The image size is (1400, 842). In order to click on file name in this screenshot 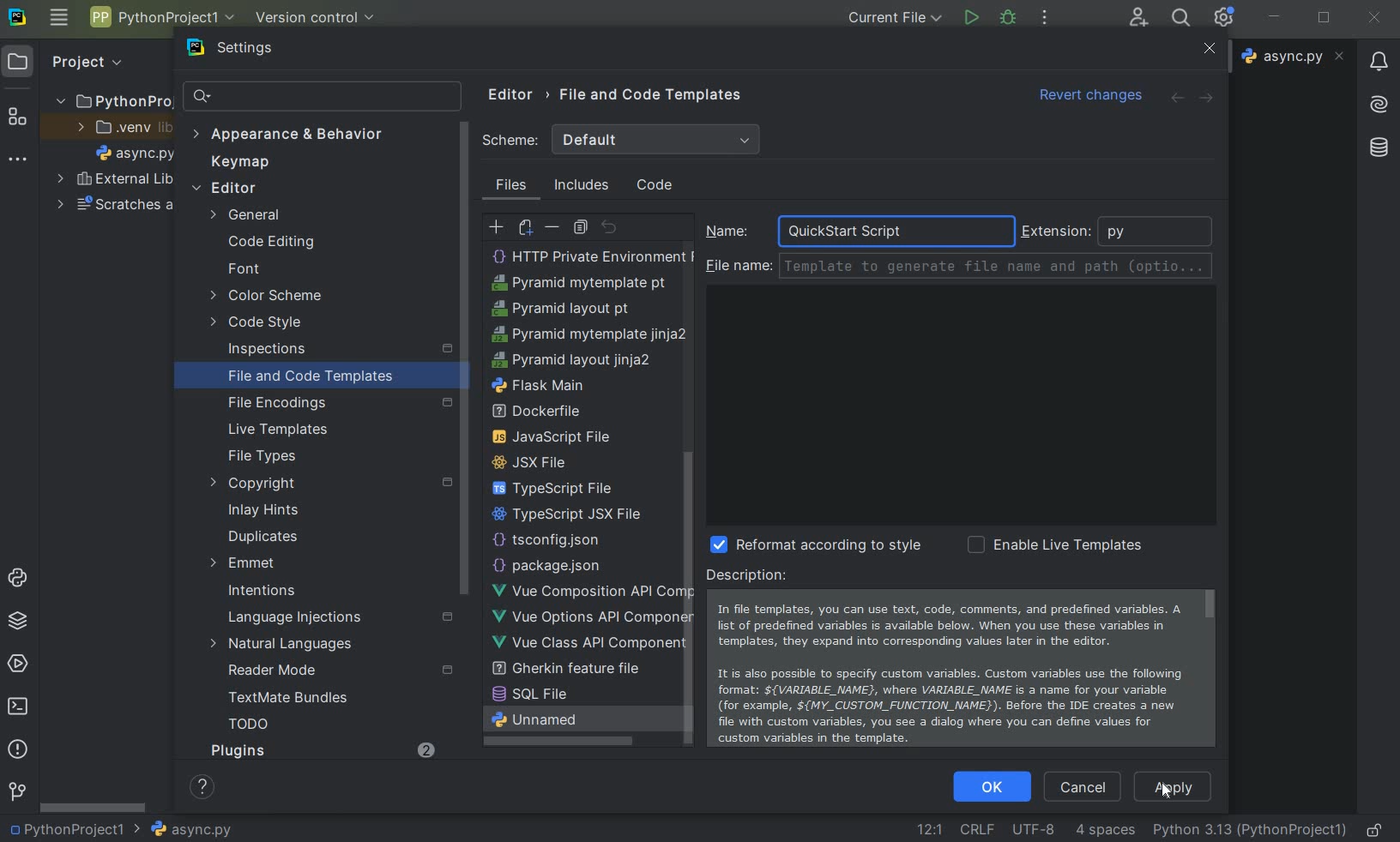, I will do `click(194, 831)`.